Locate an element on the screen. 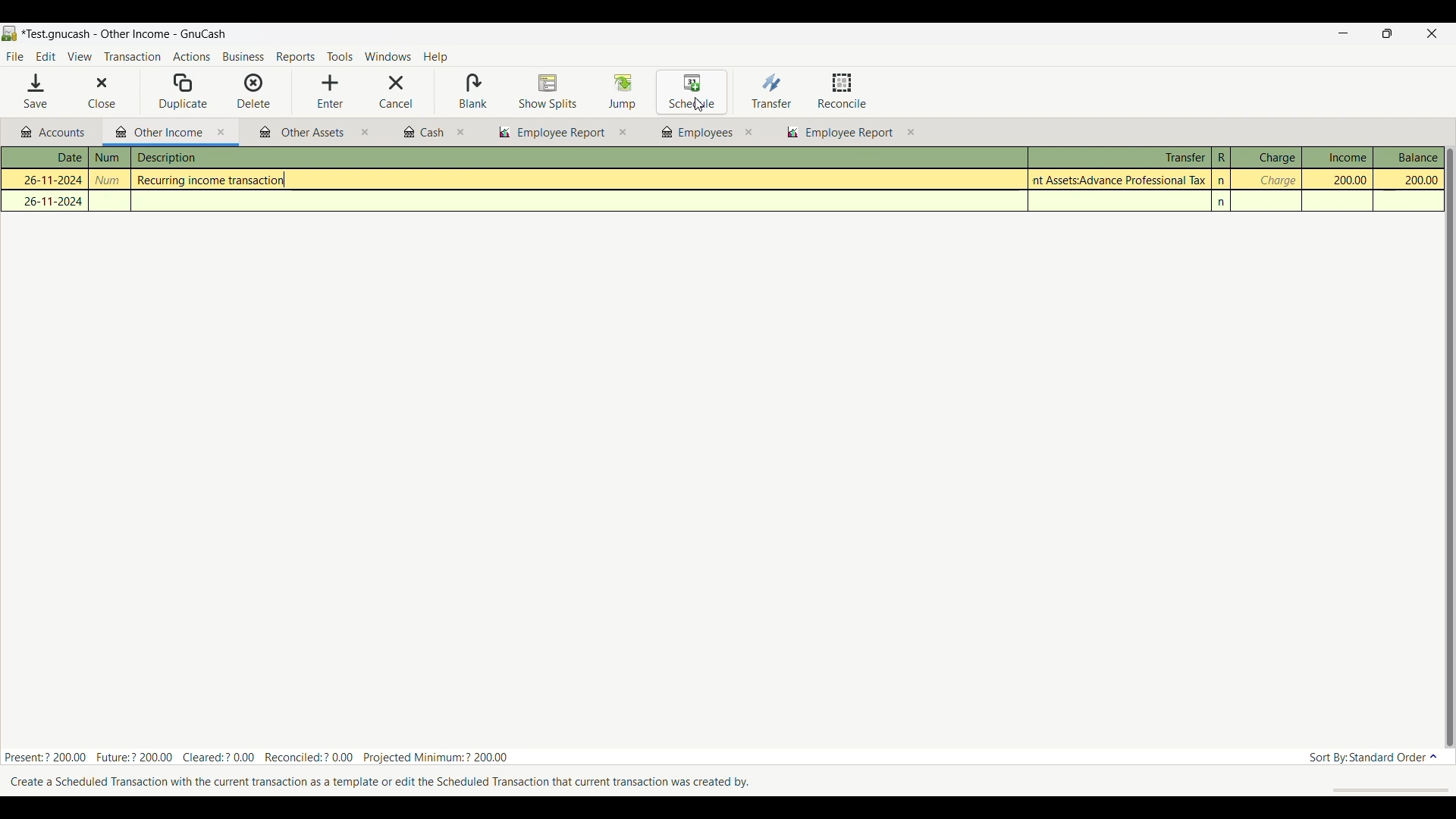  Sort order options is located at coordinates (1373, 758).